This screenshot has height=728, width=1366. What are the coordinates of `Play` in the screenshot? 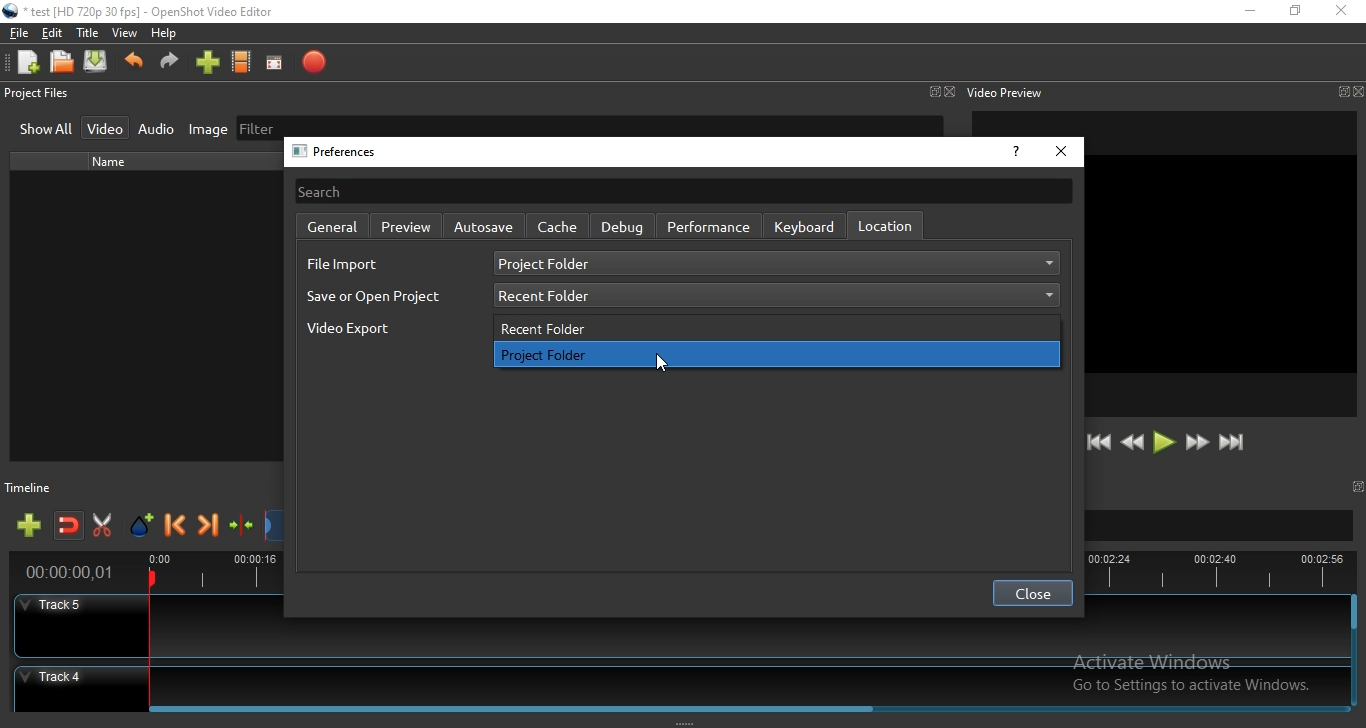 It's located at (1164, 443).